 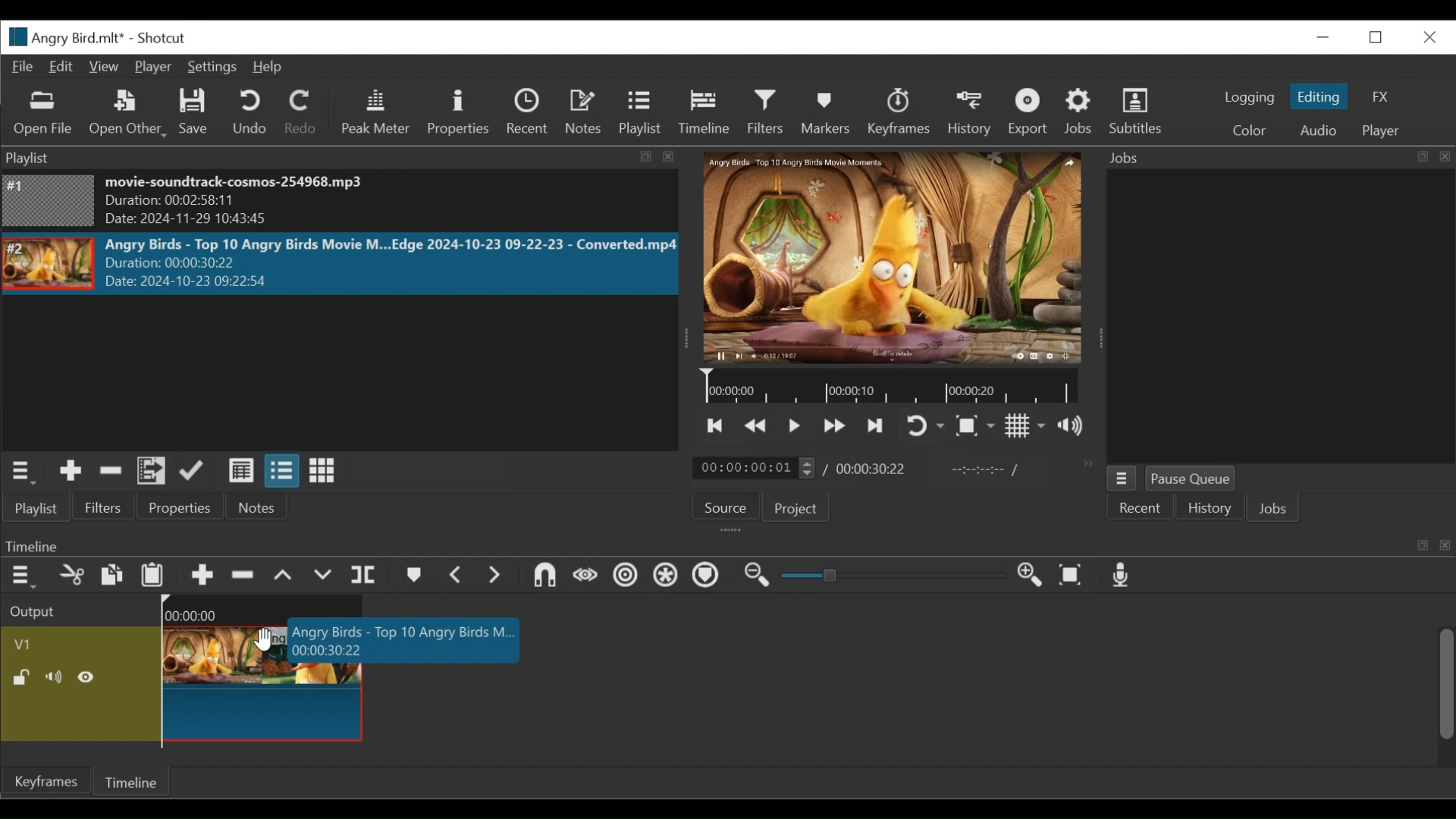 I want to click on Previous marker, so click(x=456, y=574).